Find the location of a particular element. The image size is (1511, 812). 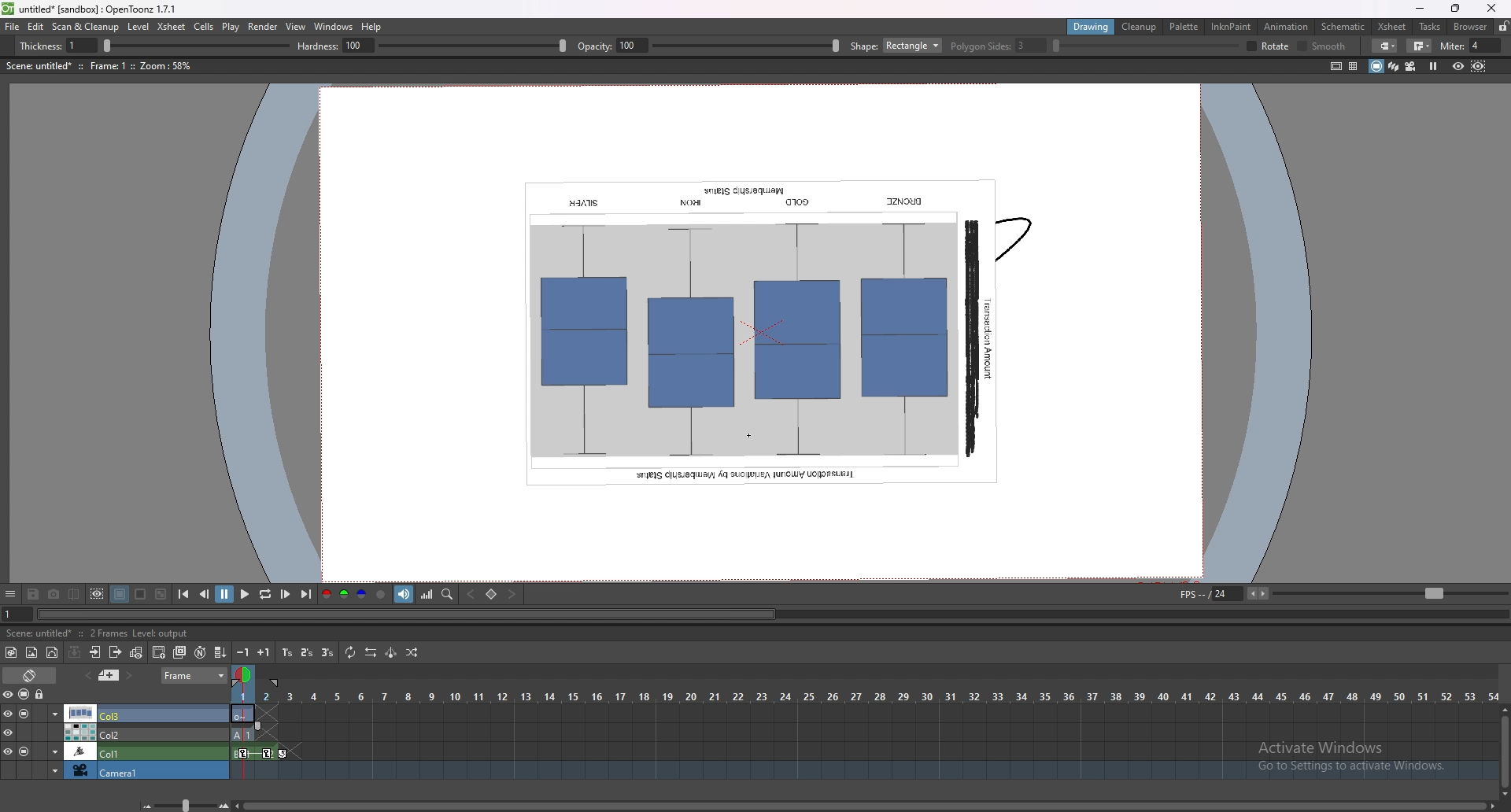

save is located at coordinates (33, 596).